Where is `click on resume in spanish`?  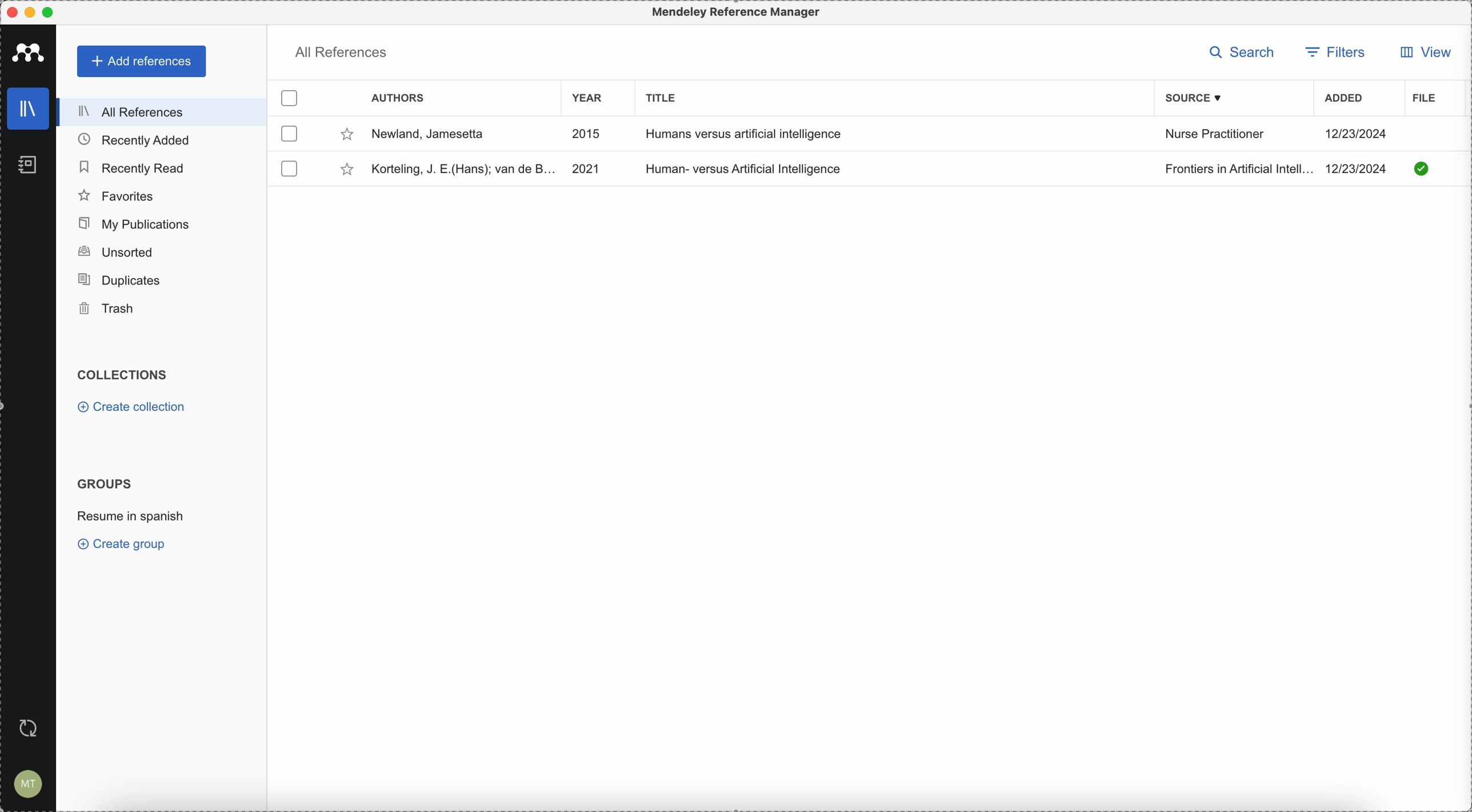 click on resume in spanish is located at coordinates (133, 518).